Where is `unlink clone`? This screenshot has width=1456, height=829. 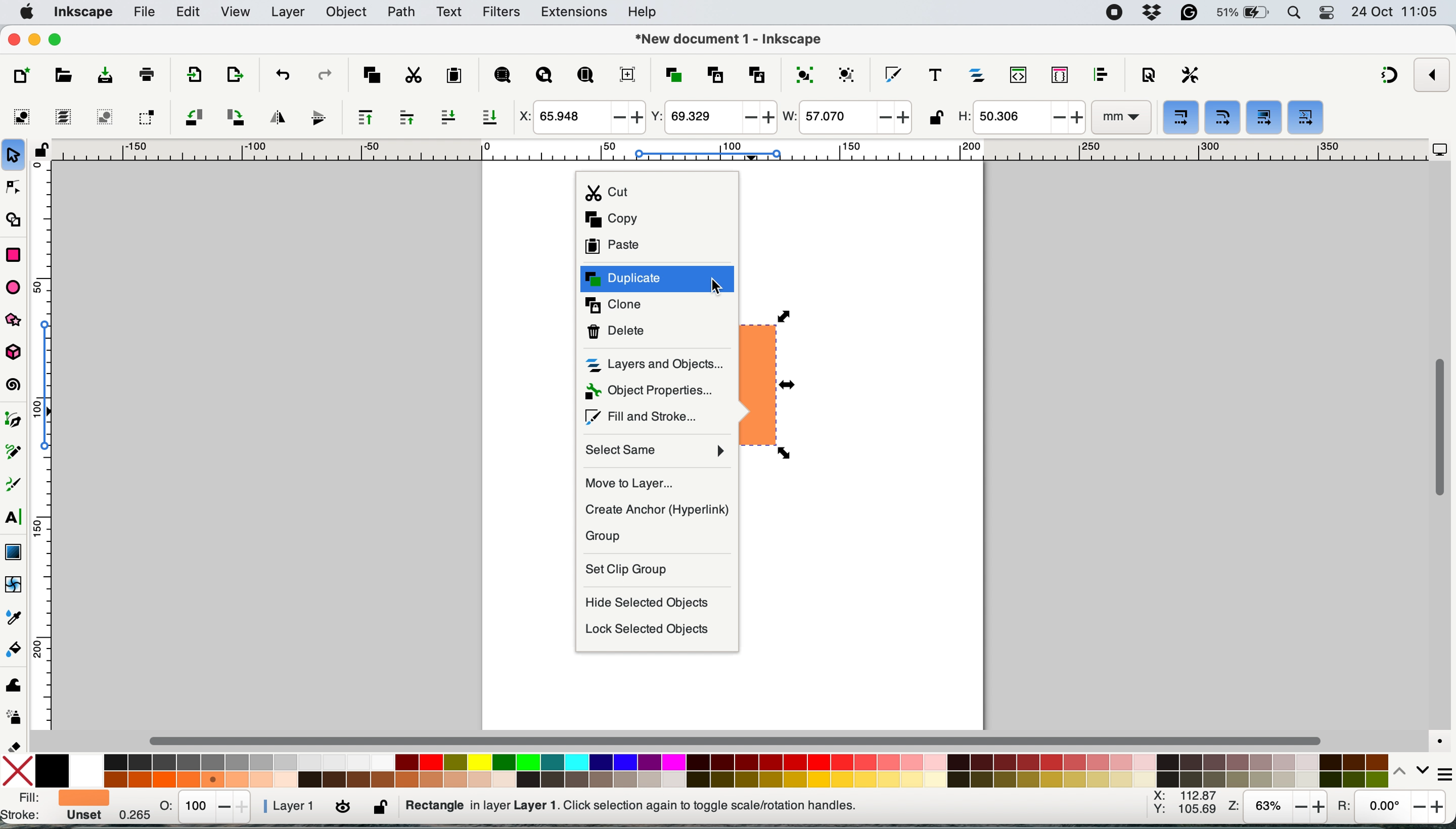 unlink clone is located at coordinates (757, 73).